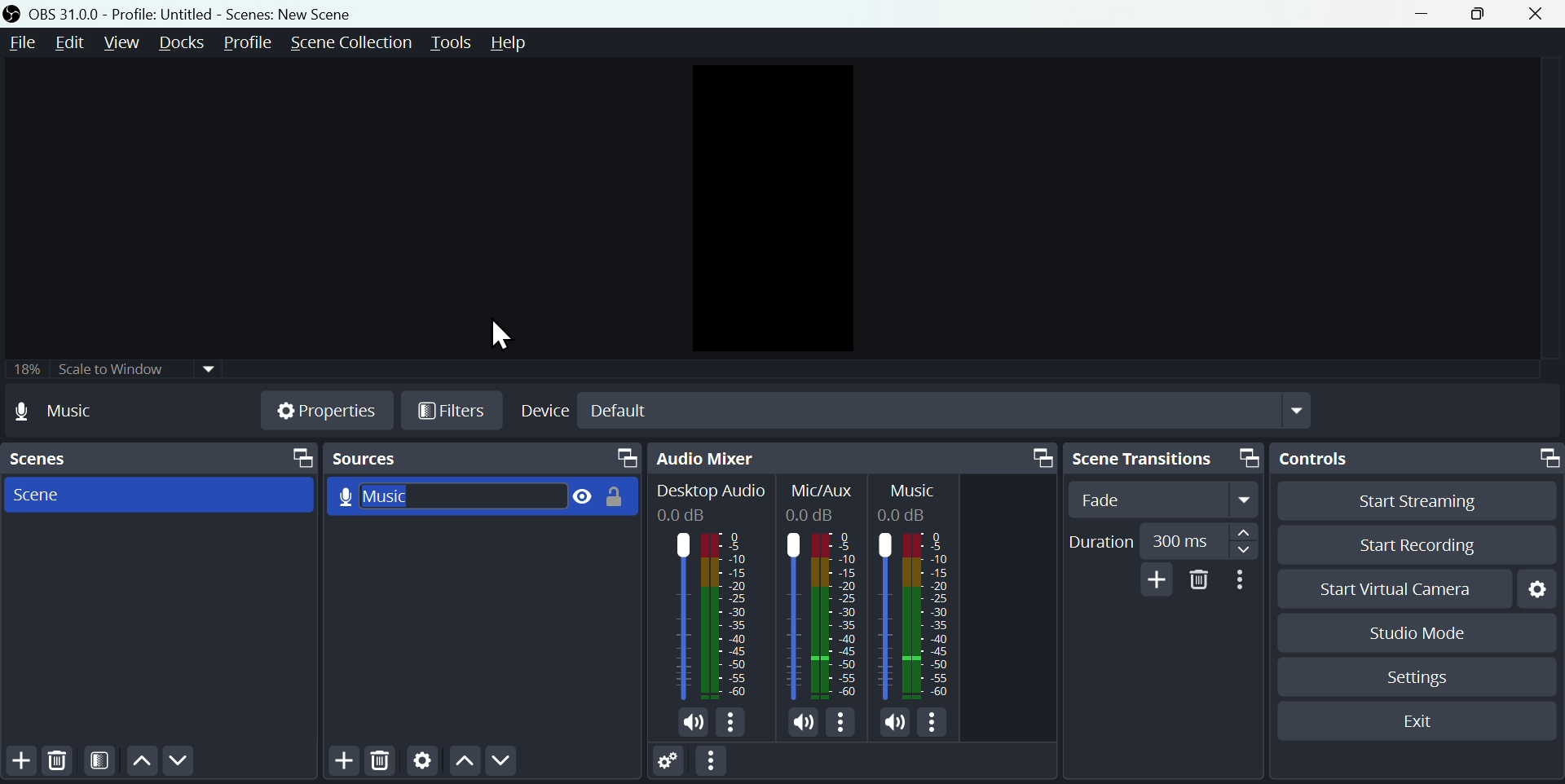 This screenshot has height=784, width=1565. Describe the element at coordinates (933, 722) in the screenshot. I see `Options` at that location.